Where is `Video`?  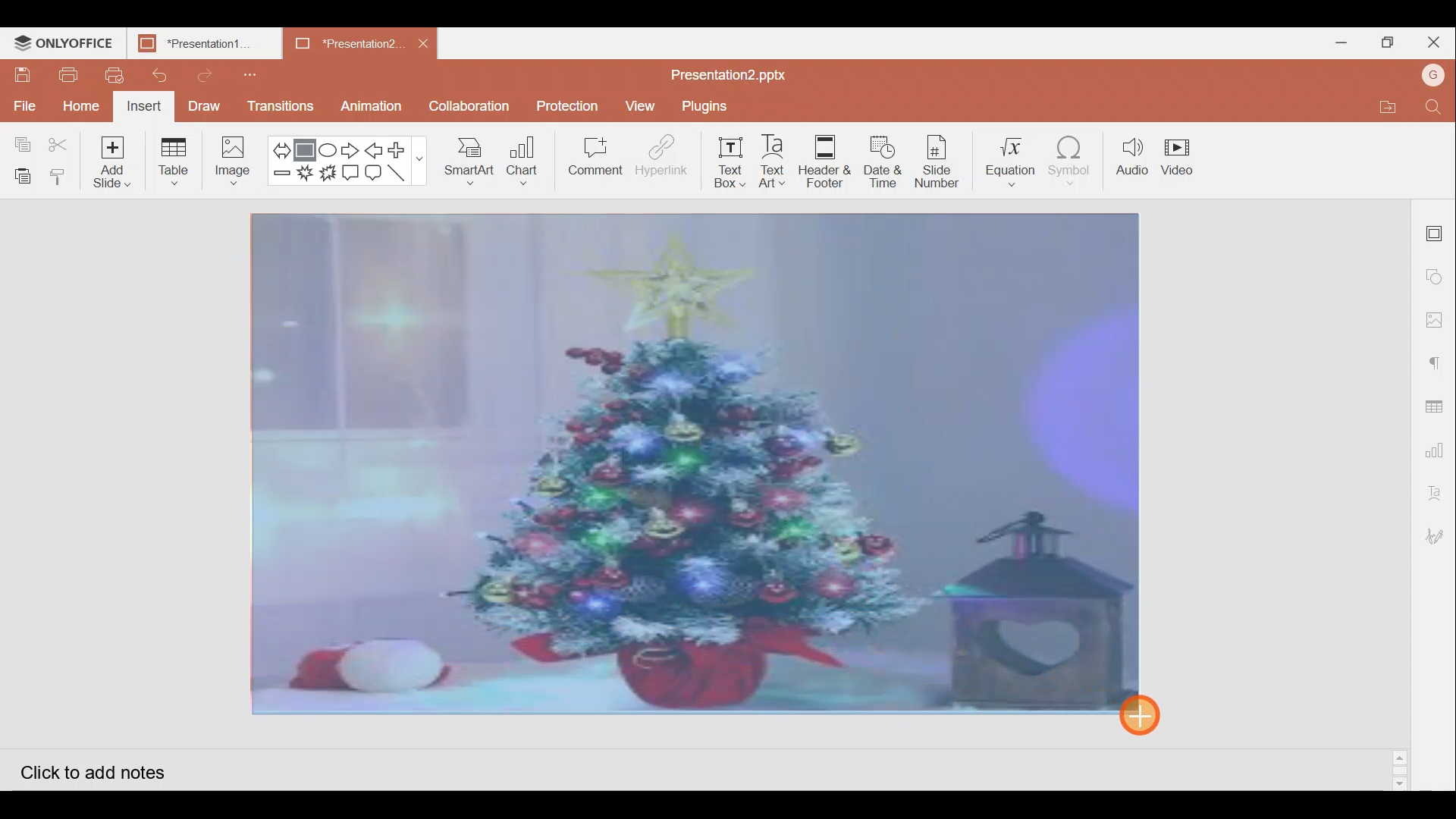
Video is located at coordinates (1182, 162).